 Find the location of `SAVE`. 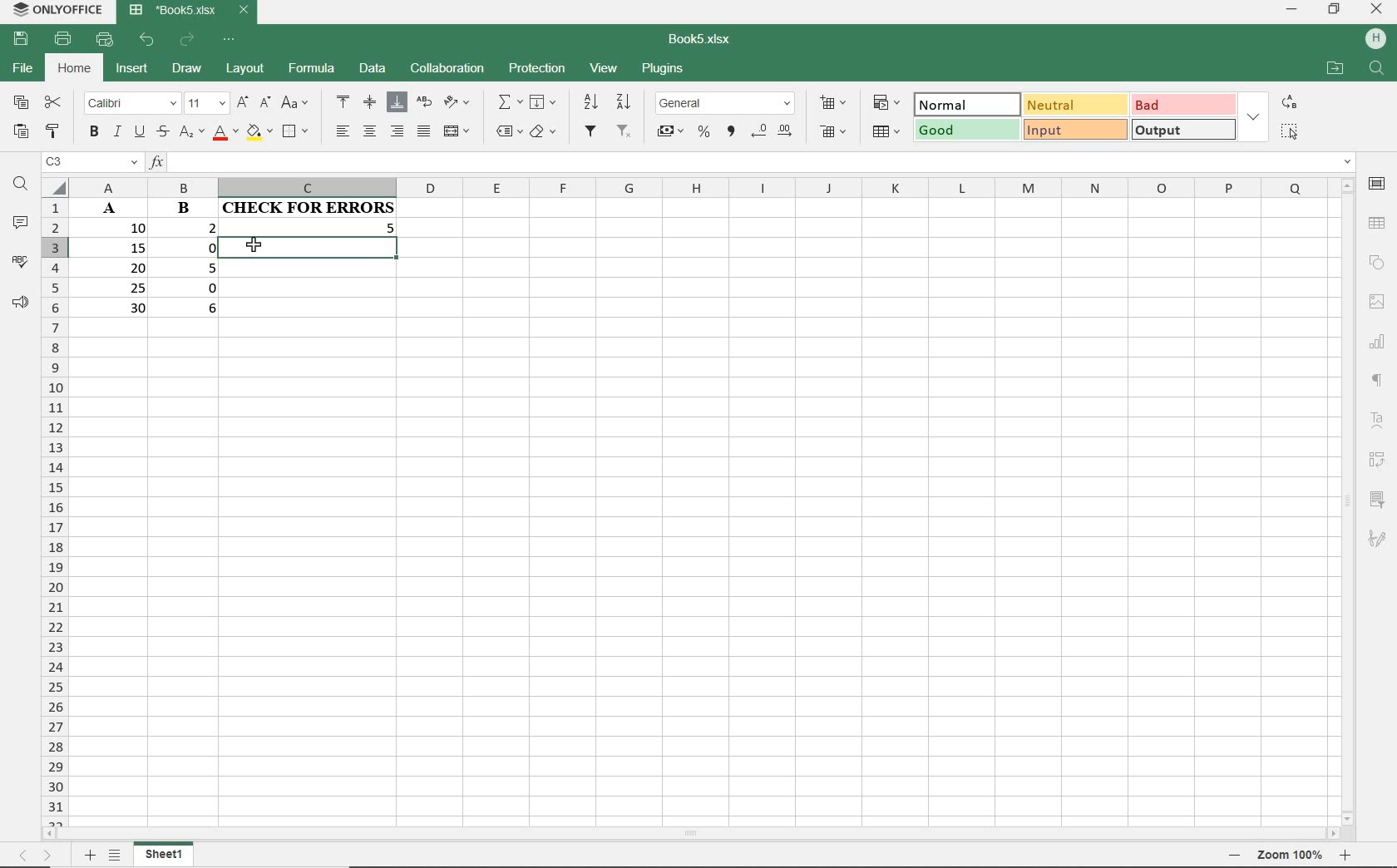

SAVE is located at coordinates (18, 41).